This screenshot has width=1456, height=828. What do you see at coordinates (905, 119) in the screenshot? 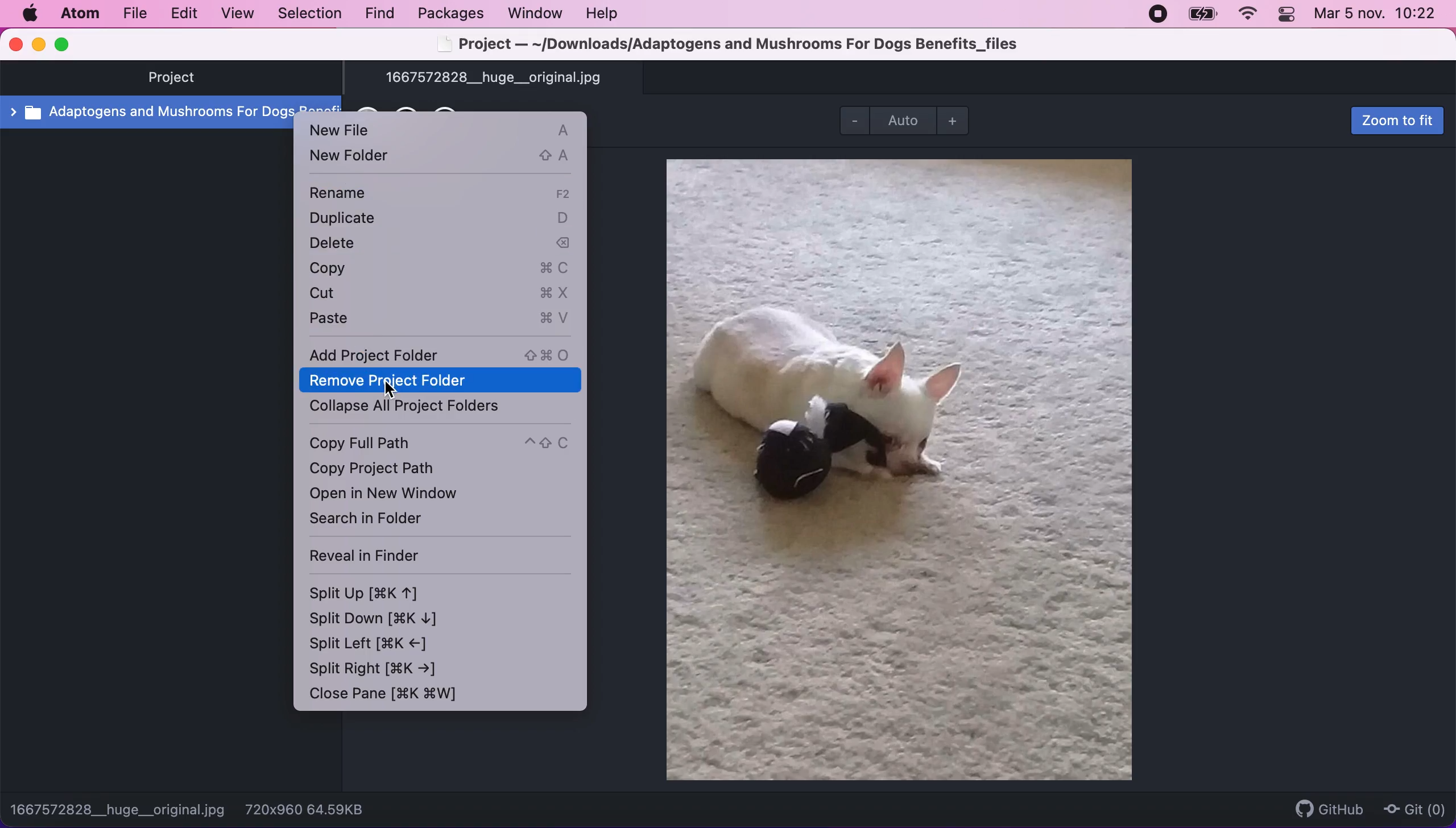
I see `Auto` at bounding box center [905, 119].